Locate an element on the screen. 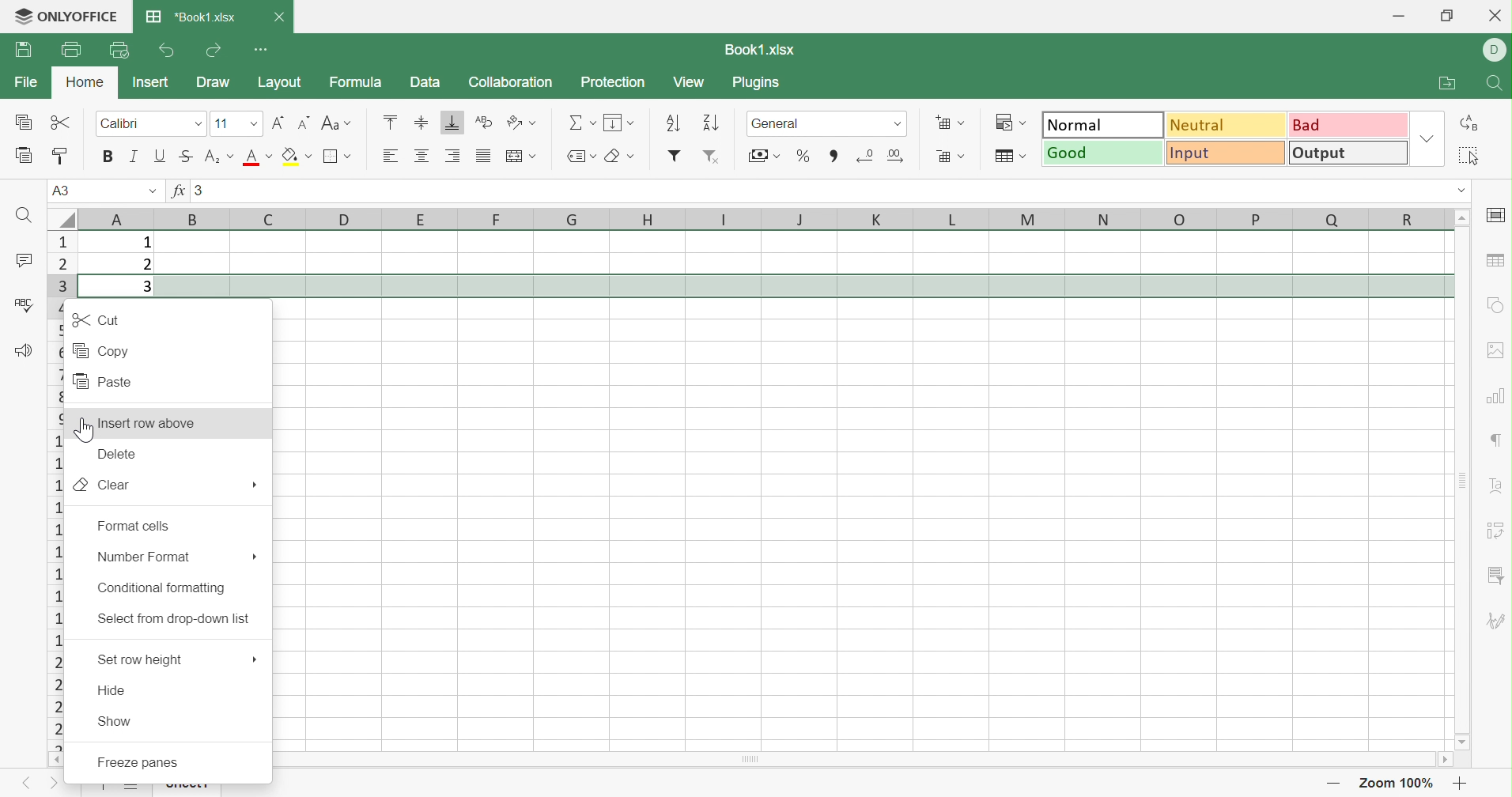  Summation is located at coordinates (577, 121).